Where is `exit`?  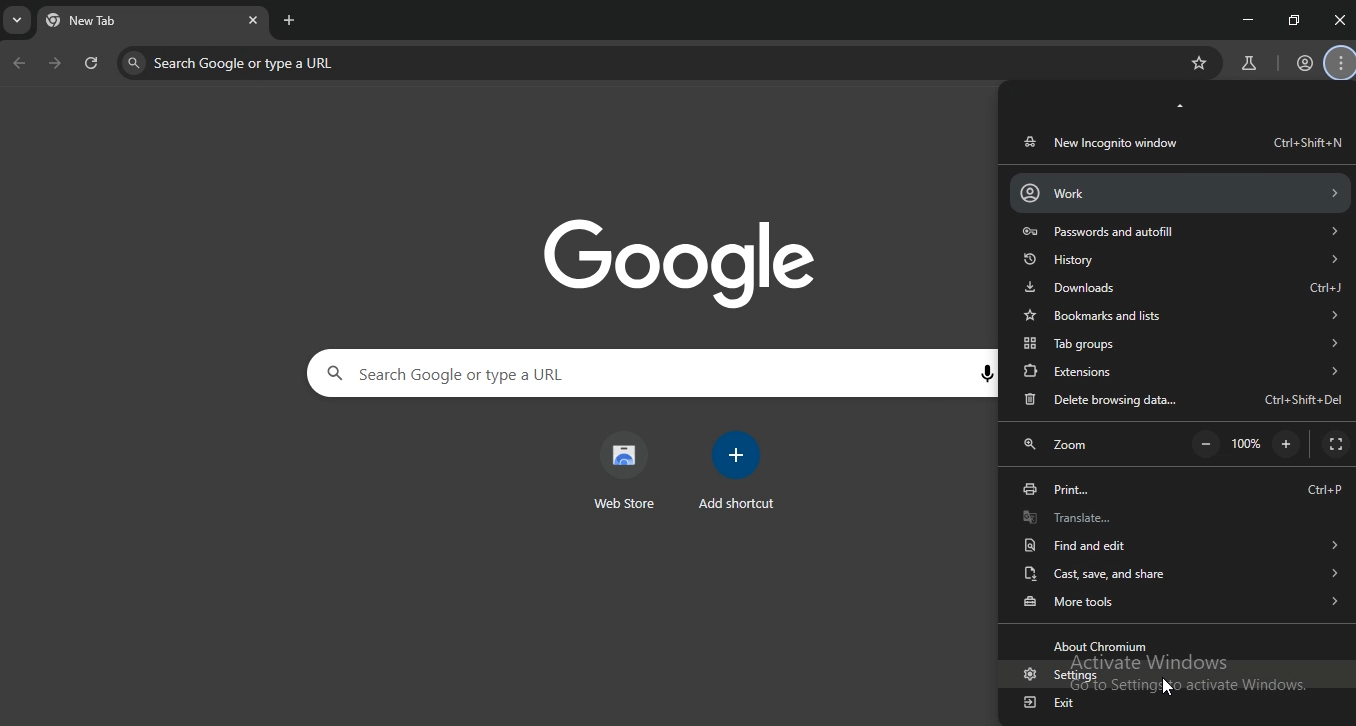
exit is located at coordinates (1056, 700).